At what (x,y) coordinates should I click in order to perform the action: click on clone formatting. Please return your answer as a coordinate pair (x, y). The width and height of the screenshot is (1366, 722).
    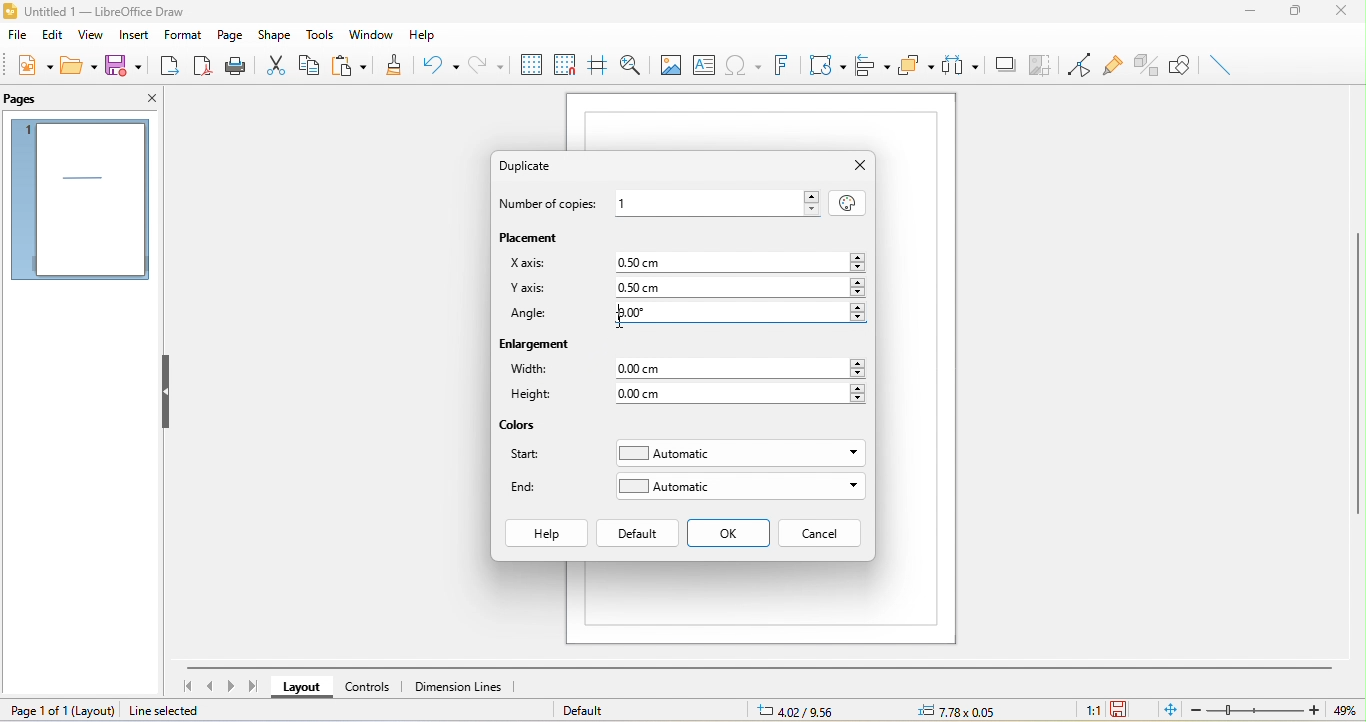
    Looking at the image, I should click on (397, 63).